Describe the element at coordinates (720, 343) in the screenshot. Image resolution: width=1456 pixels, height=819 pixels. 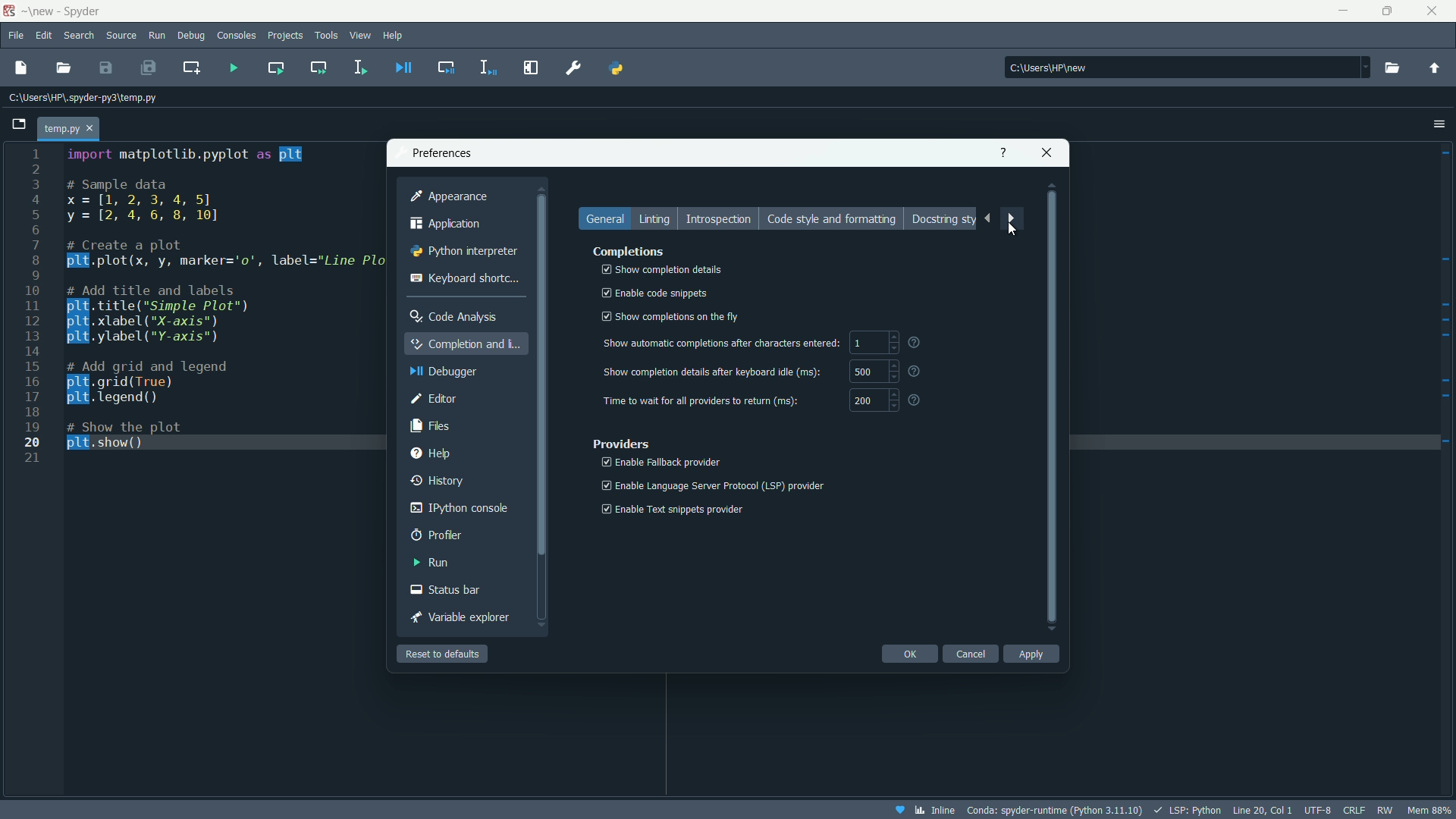
I see `show automatic completions after characters entered` at that location.